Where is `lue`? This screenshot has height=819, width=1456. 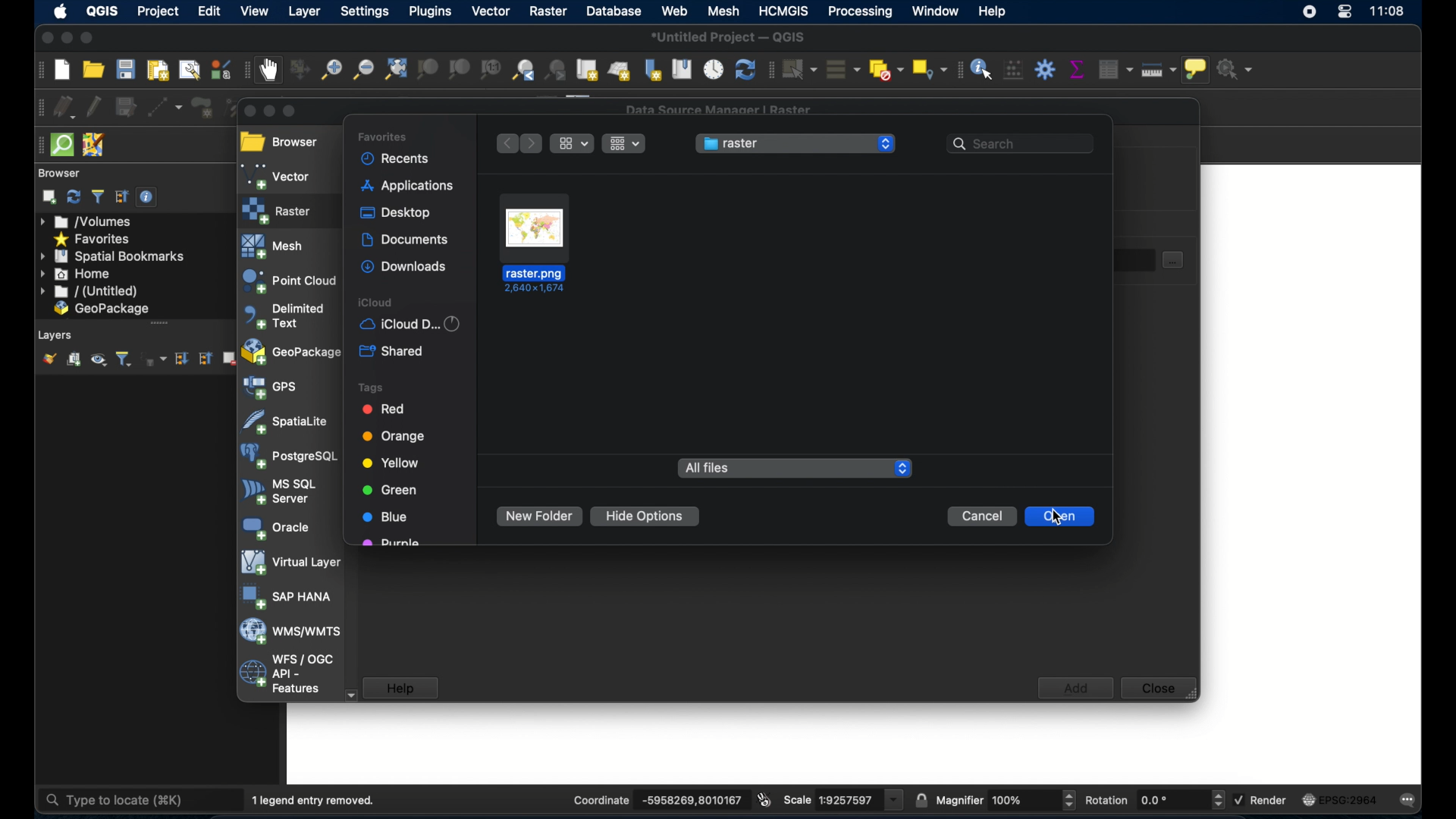
lue is located at coordinates (384, 517).